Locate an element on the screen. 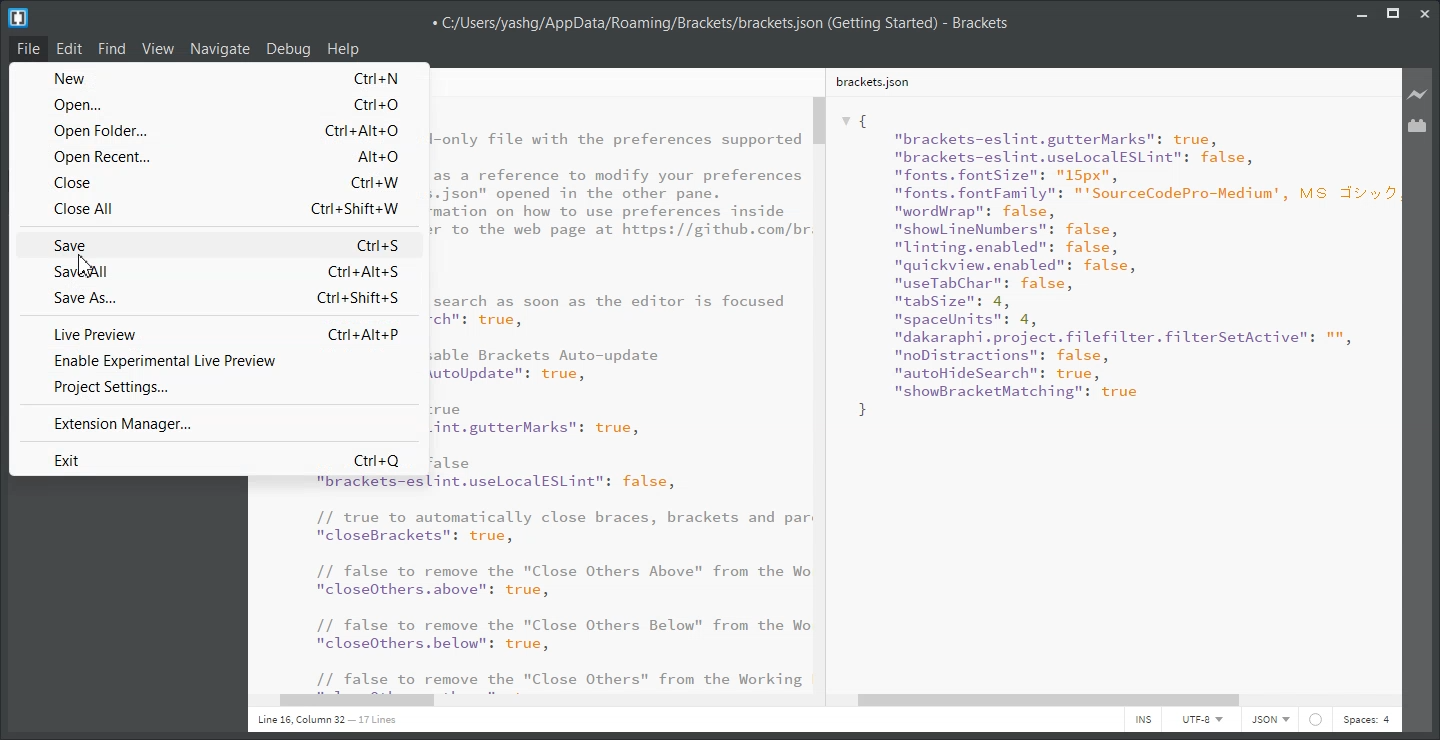 The width and height of the screenshot is (1440, 740). Extension Manager is located at coordinates (1418, 125).